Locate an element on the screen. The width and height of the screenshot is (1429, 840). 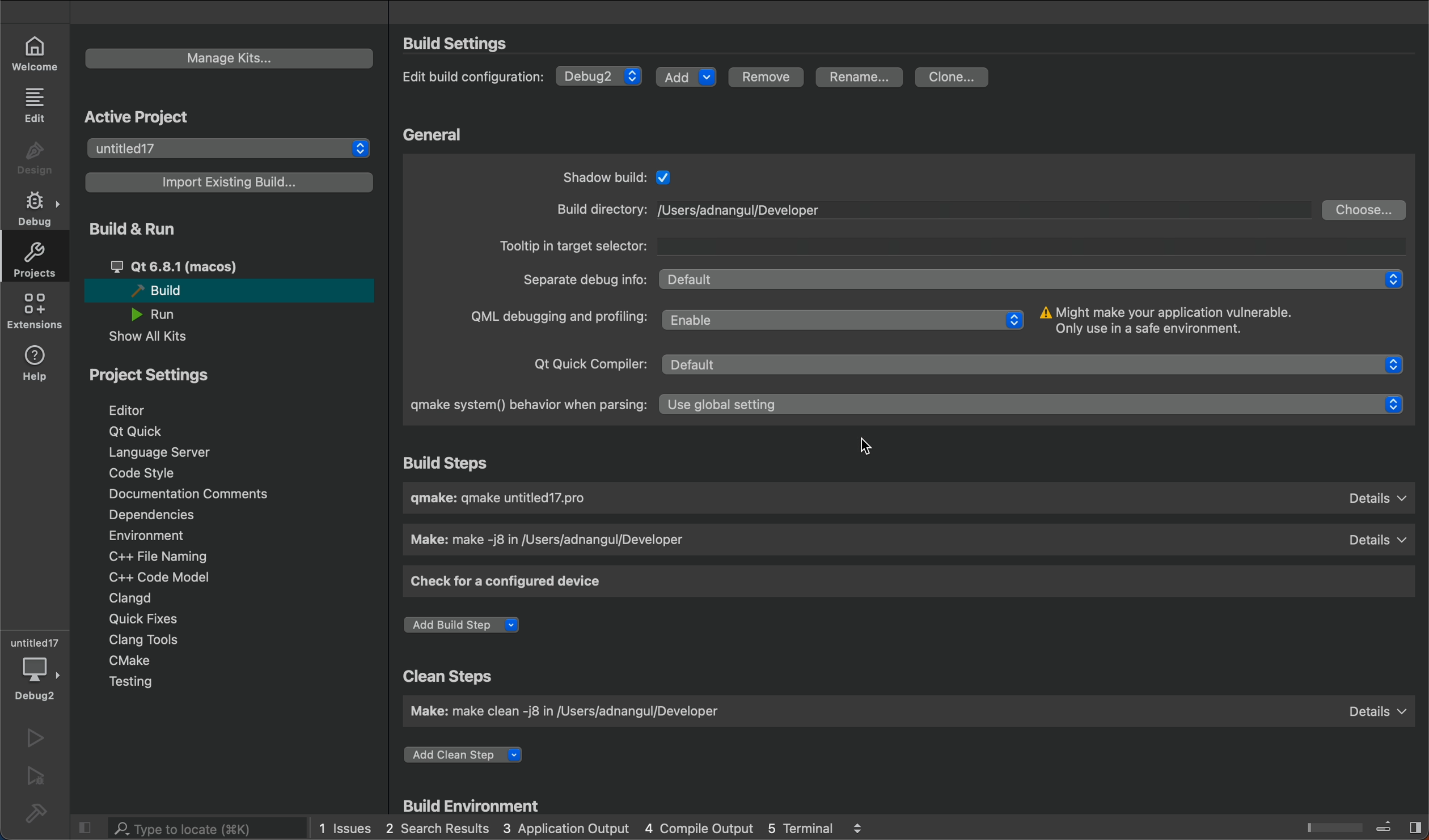
run is located at coordinates (164, 314).